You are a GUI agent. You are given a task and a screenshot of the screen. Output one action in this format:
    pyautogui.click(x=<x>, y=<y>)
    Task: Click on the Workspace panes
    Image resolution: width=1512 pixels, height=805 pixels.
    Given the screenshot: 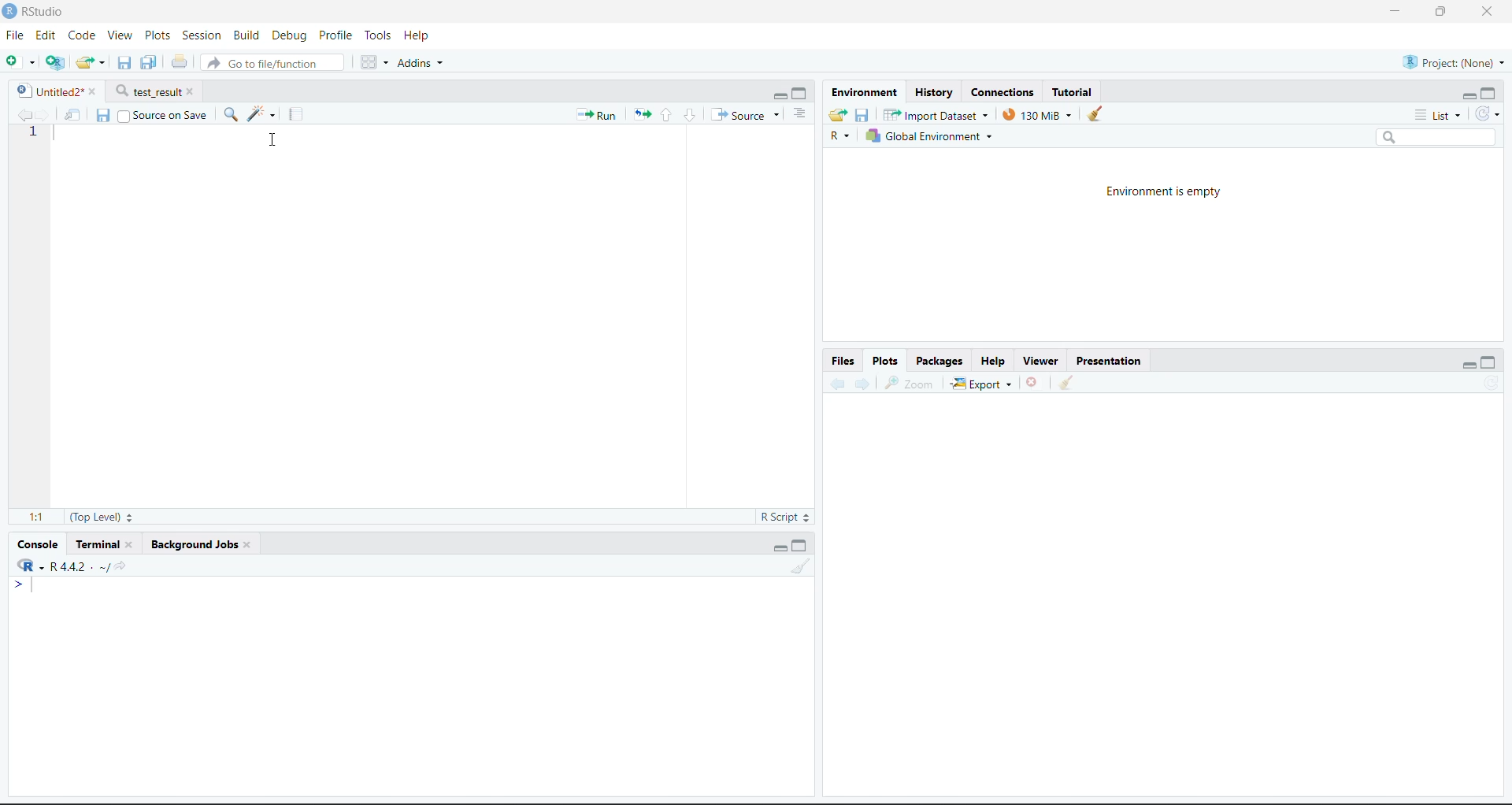 What is the action you would take?
    pyautogui.click(x=372, y=61)
    